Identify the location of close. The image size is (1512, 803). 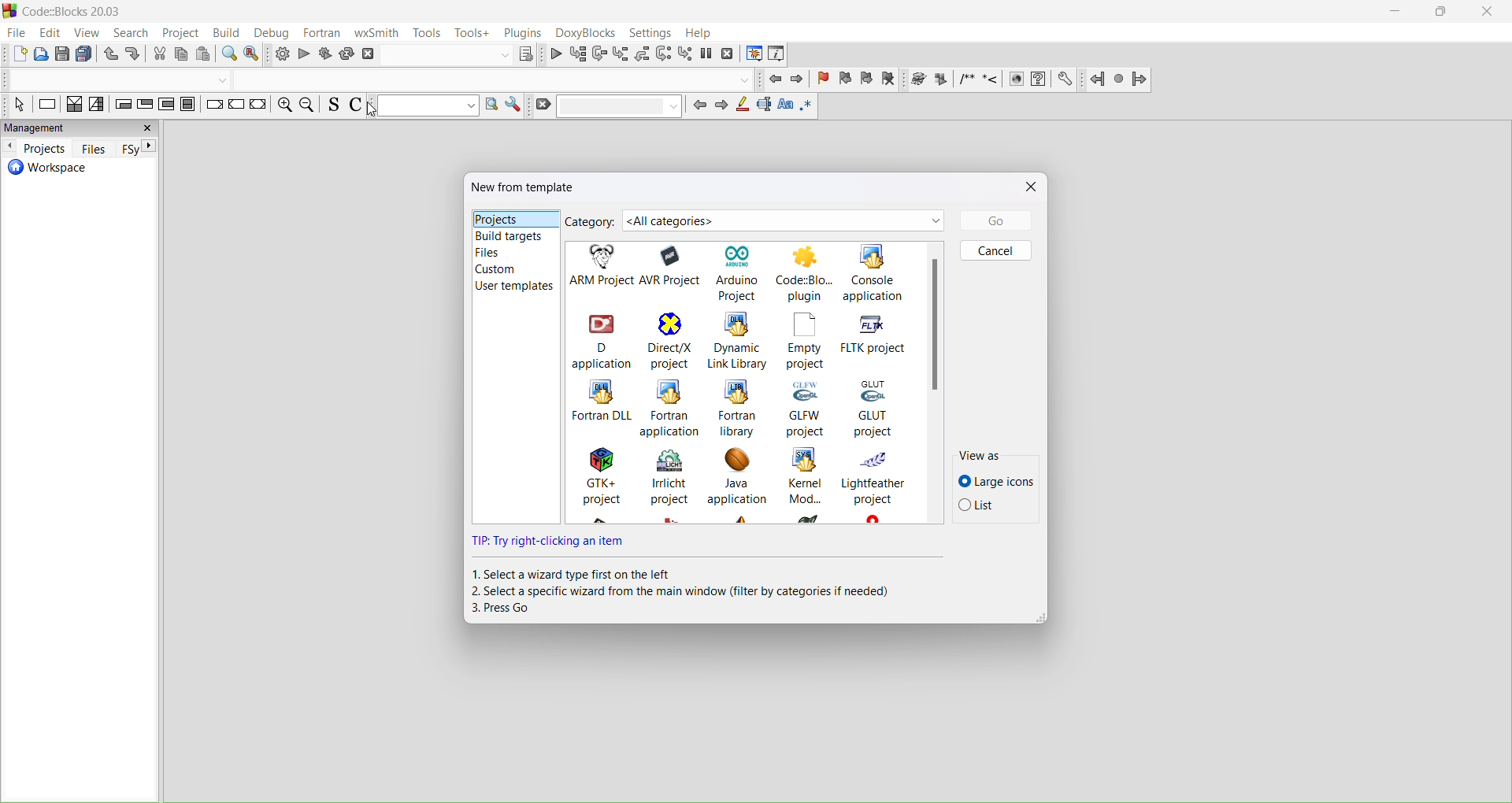
(1029, 186).